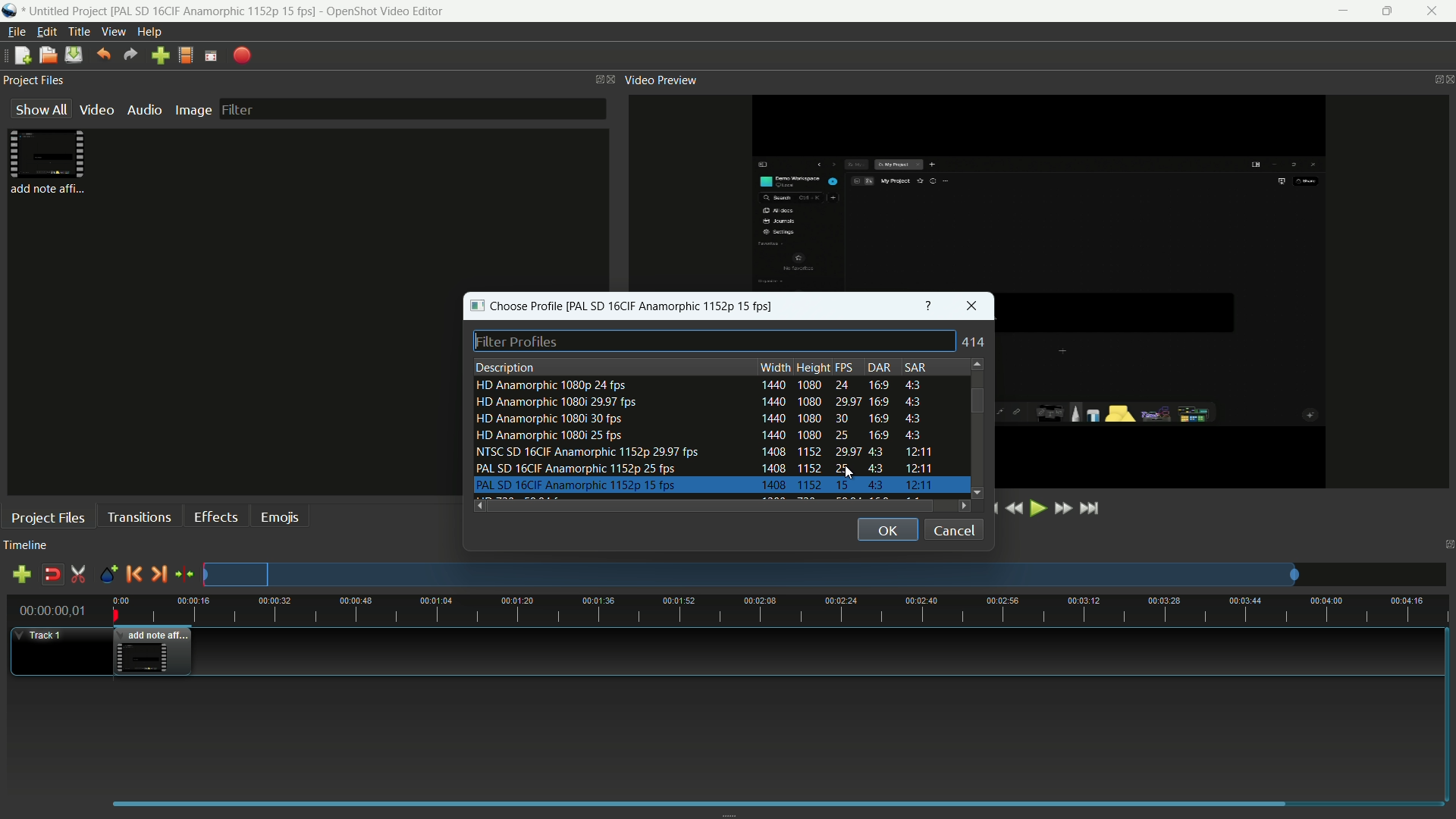 The width and height of the screenshot is (1456, 819). What do you see at coordinates (133, 574) in the screenshot?
I see `previous marker` at bounding box center [133, 574].